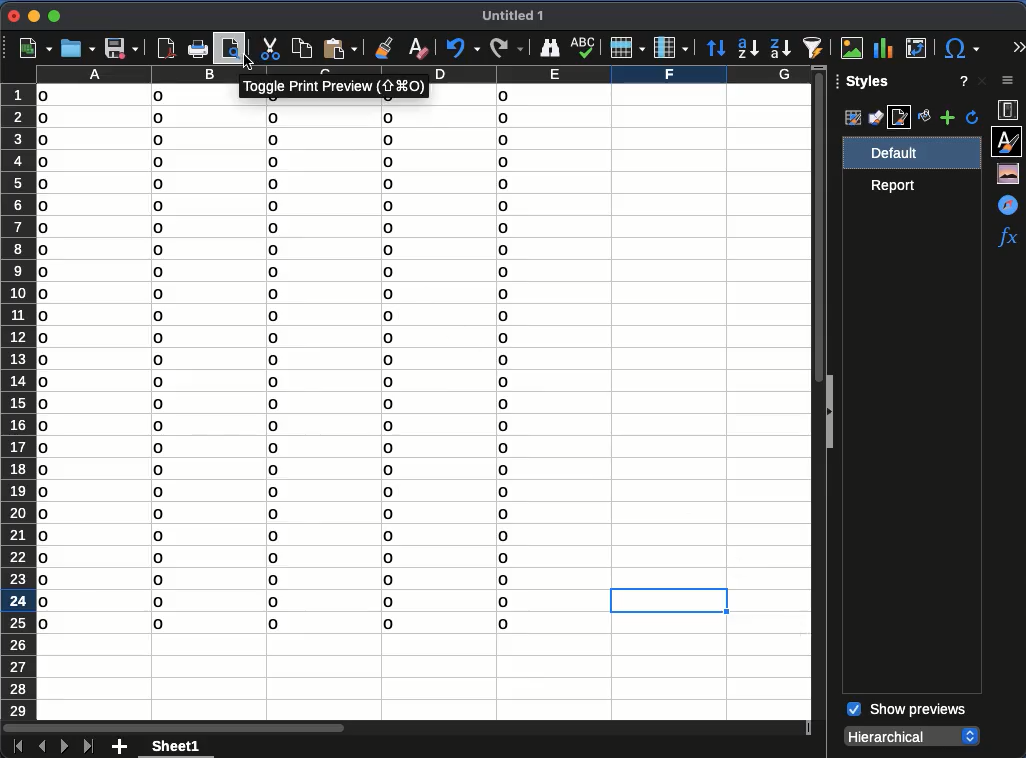  What do you see at coordinates (747, 49) in the screenshot?
I see `ascending` at bounding box center [747, 49].